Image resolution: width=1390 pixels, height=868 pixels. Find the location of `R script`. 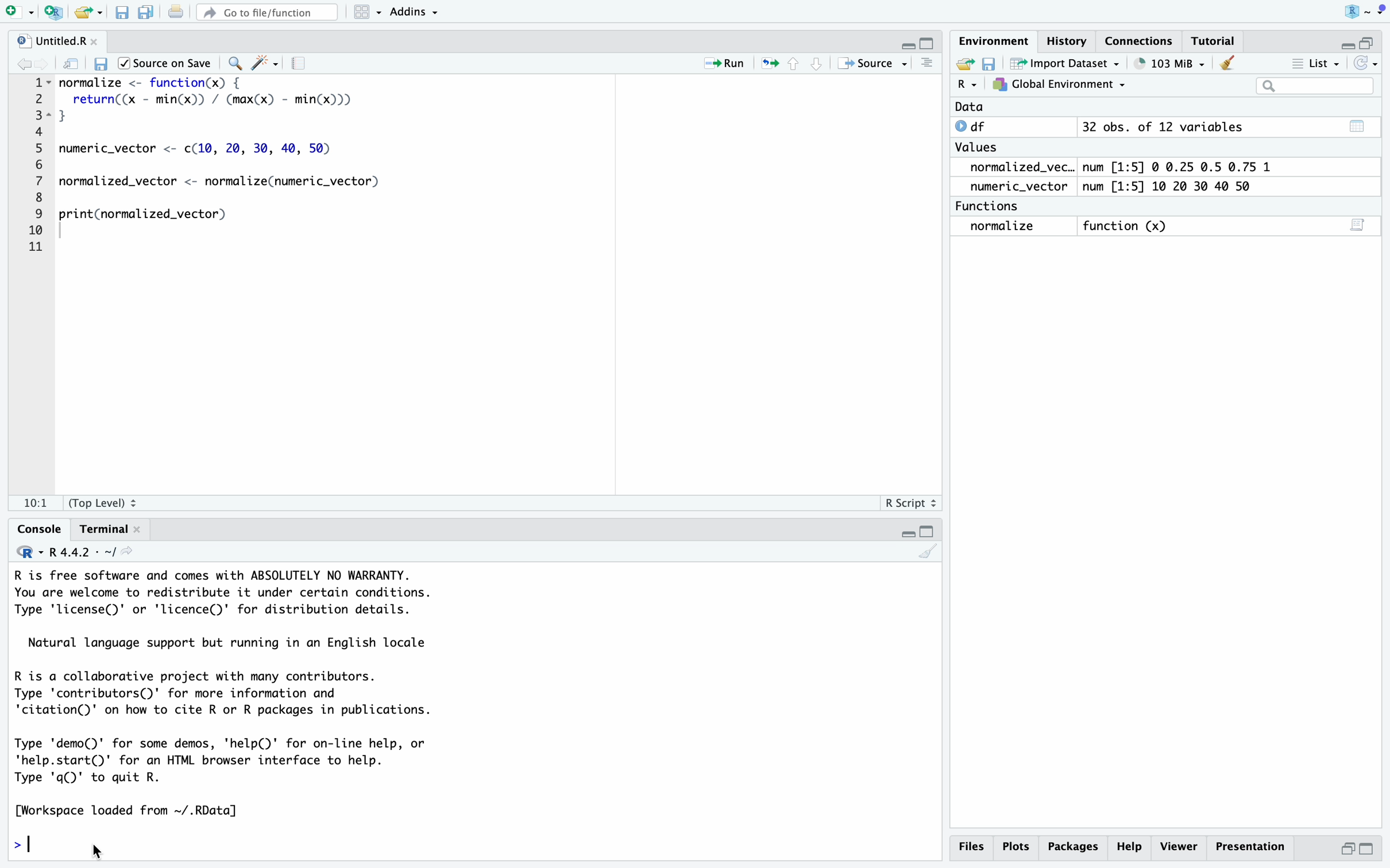

R script is located at coordinates (908, 504).